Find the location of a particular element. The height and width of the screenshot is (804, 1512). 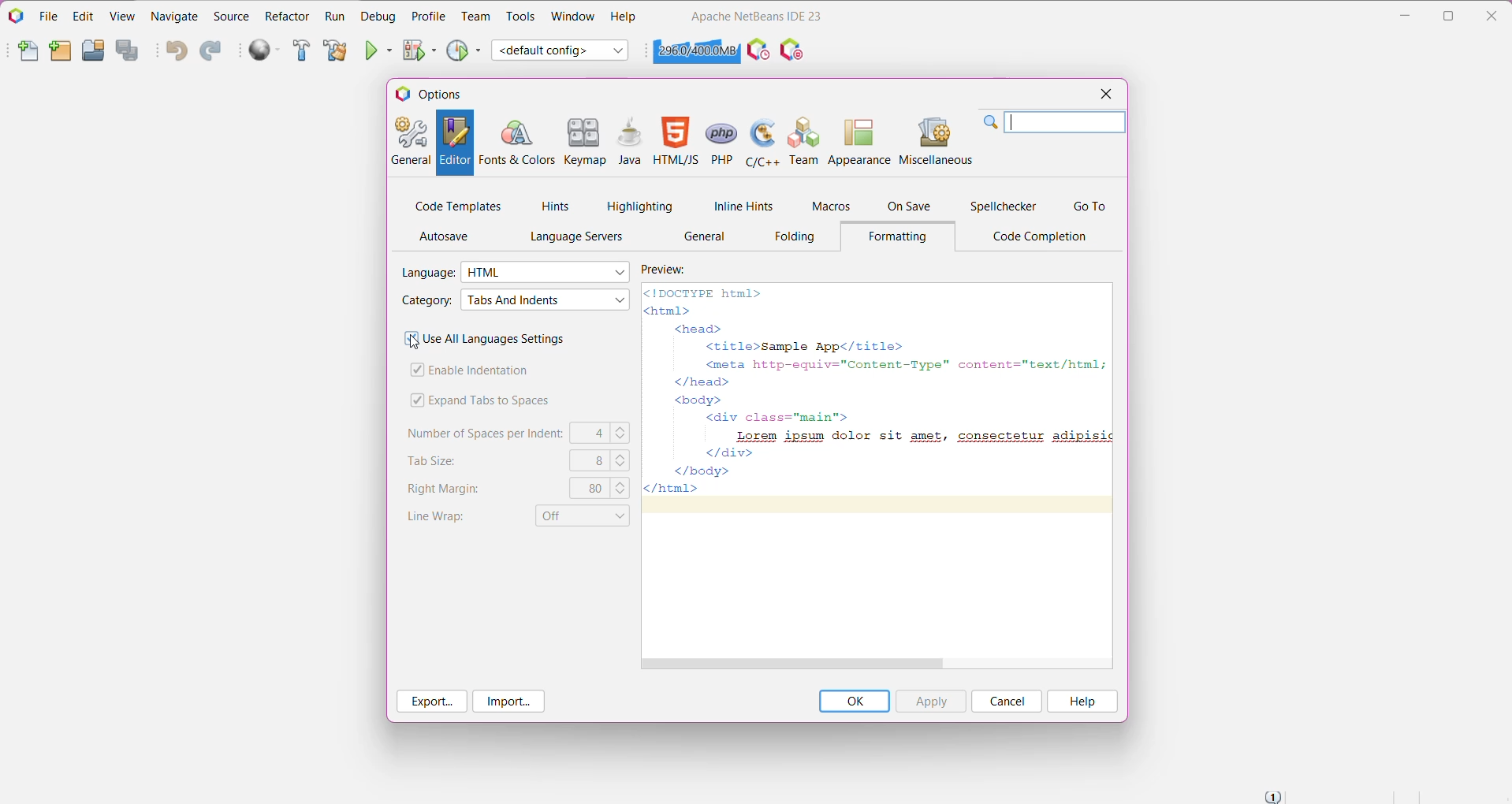

Import is located at coordinates (508, 702).